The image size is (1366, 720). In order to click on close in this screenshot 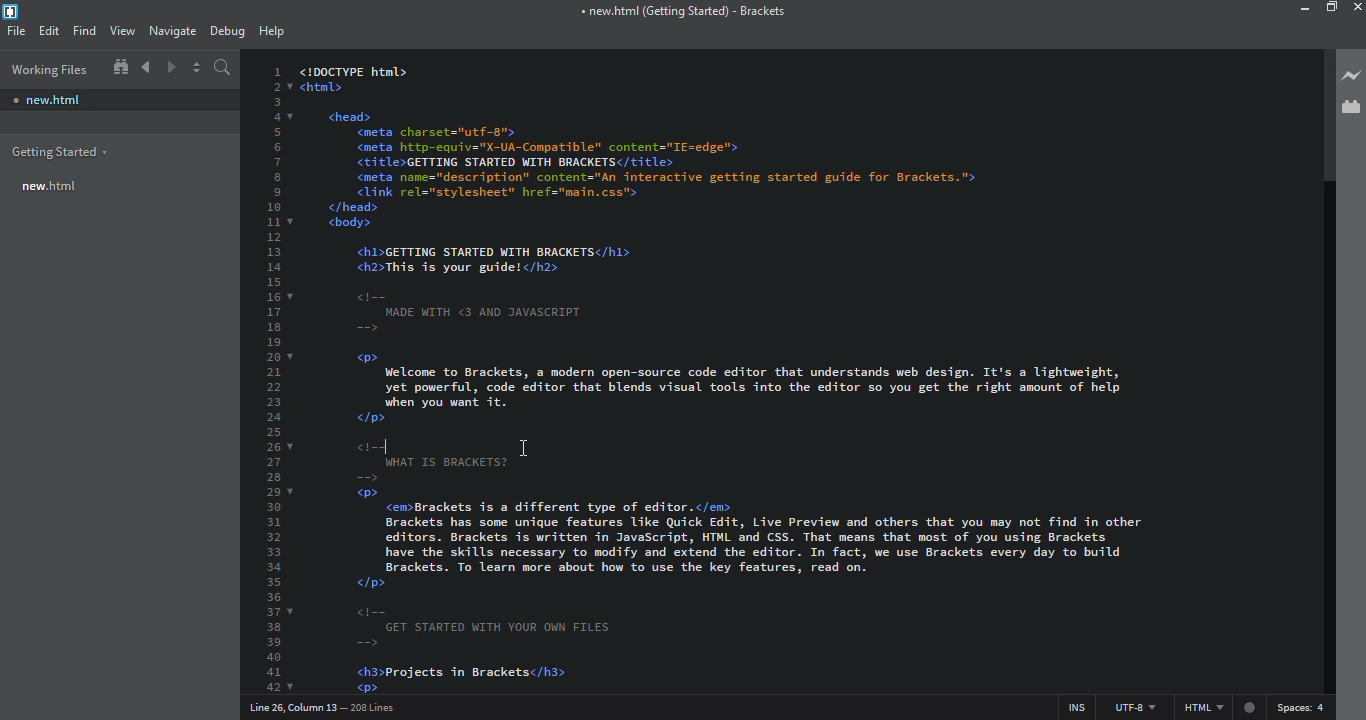, I will do `click(1360, 7)`.